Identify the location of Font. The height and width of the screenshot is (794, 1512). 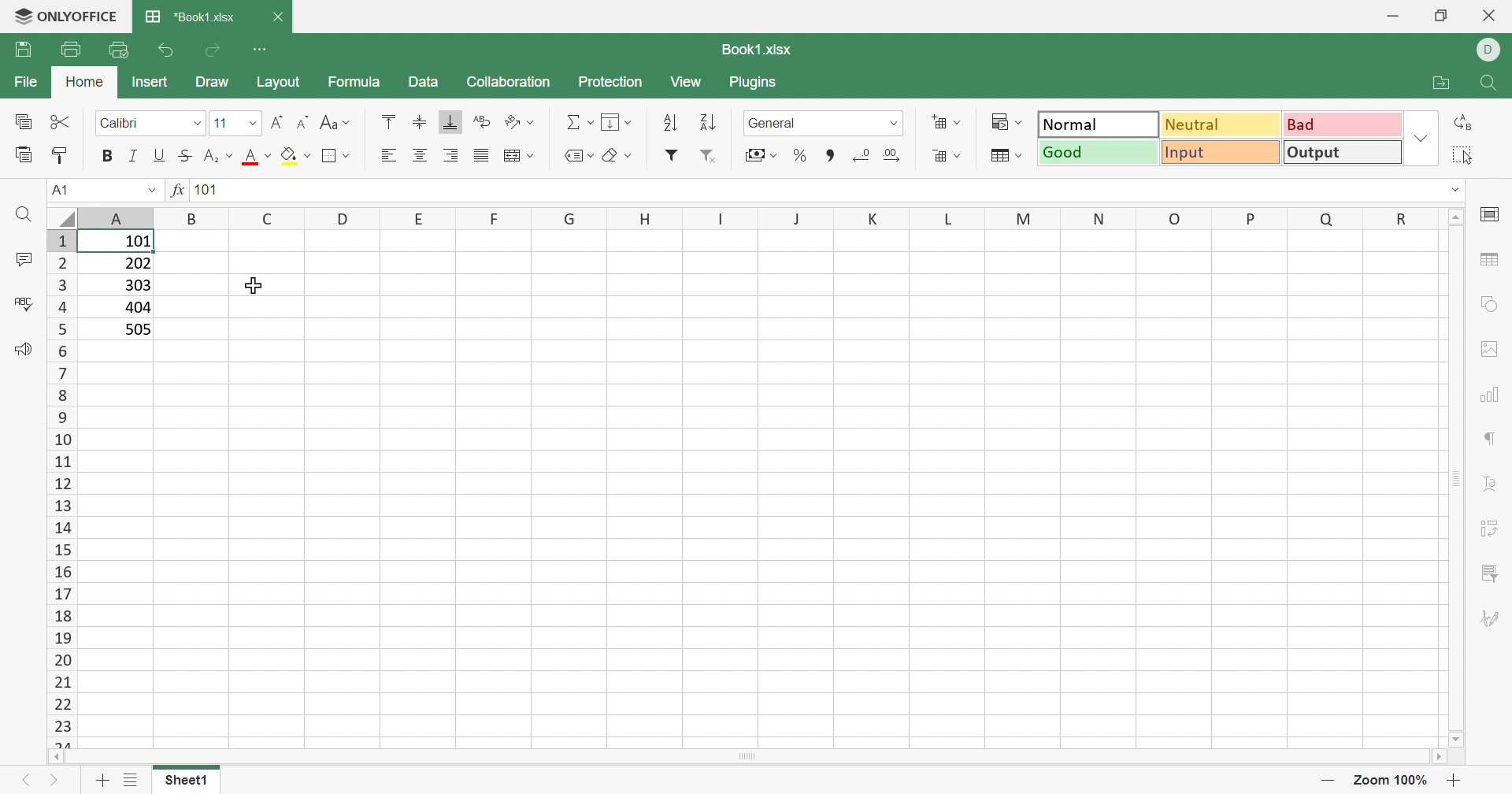
(125, 124).